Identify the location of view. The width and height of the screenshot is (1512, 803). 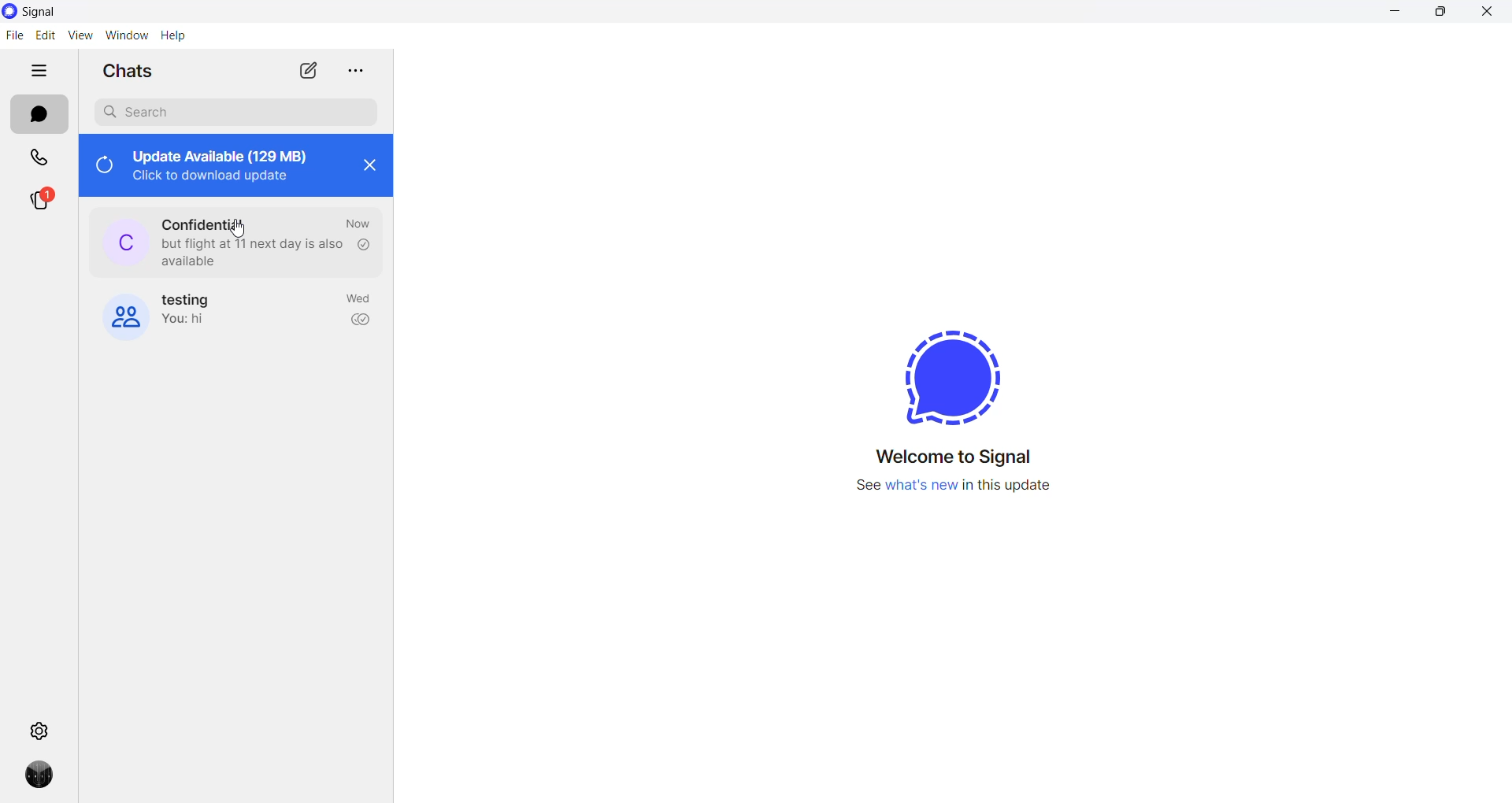
(80, 35).